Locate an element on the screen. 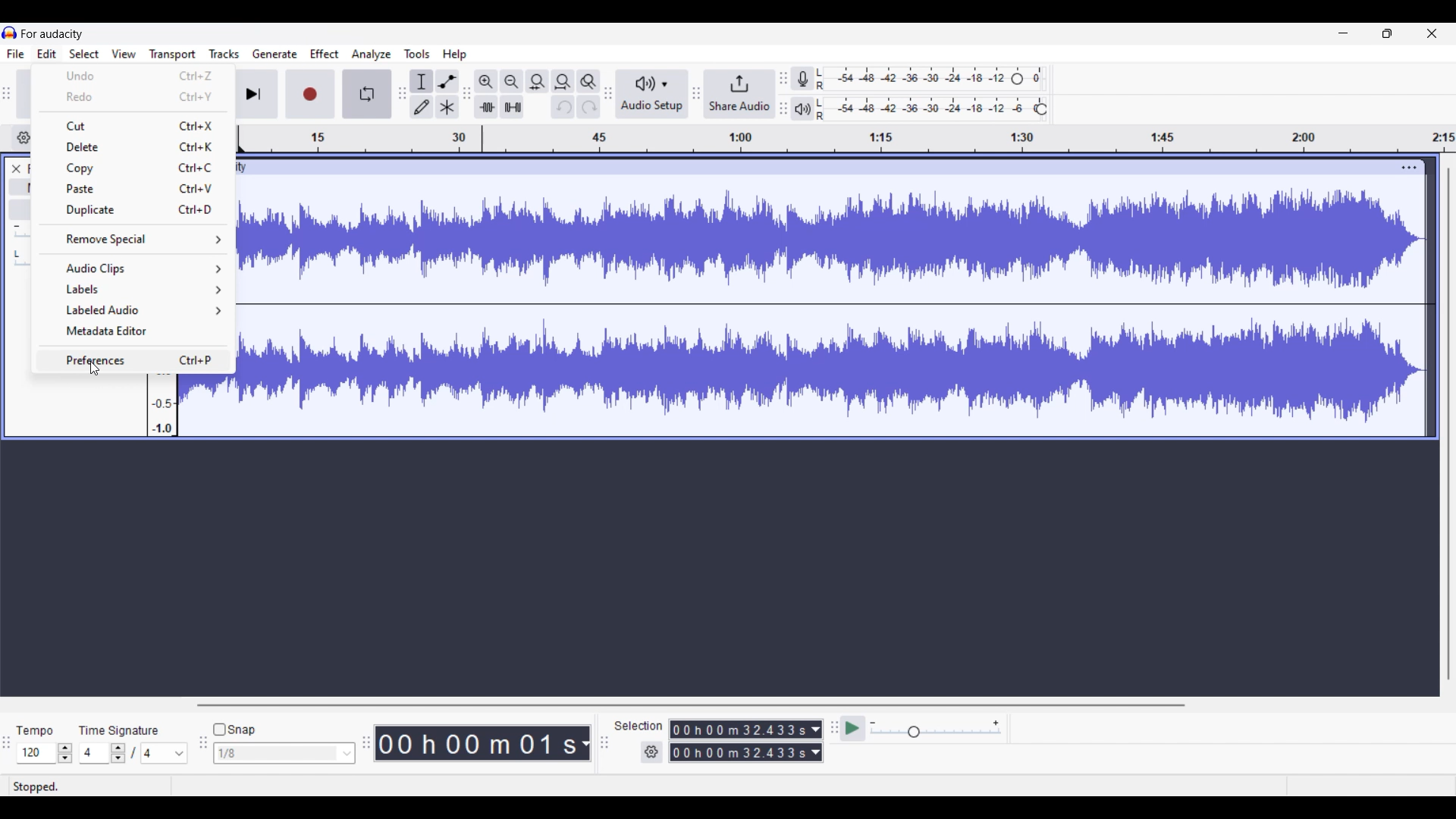 The width and height of the screenshot is (1456, 819). timestamp is located at coordinates (844, 139).